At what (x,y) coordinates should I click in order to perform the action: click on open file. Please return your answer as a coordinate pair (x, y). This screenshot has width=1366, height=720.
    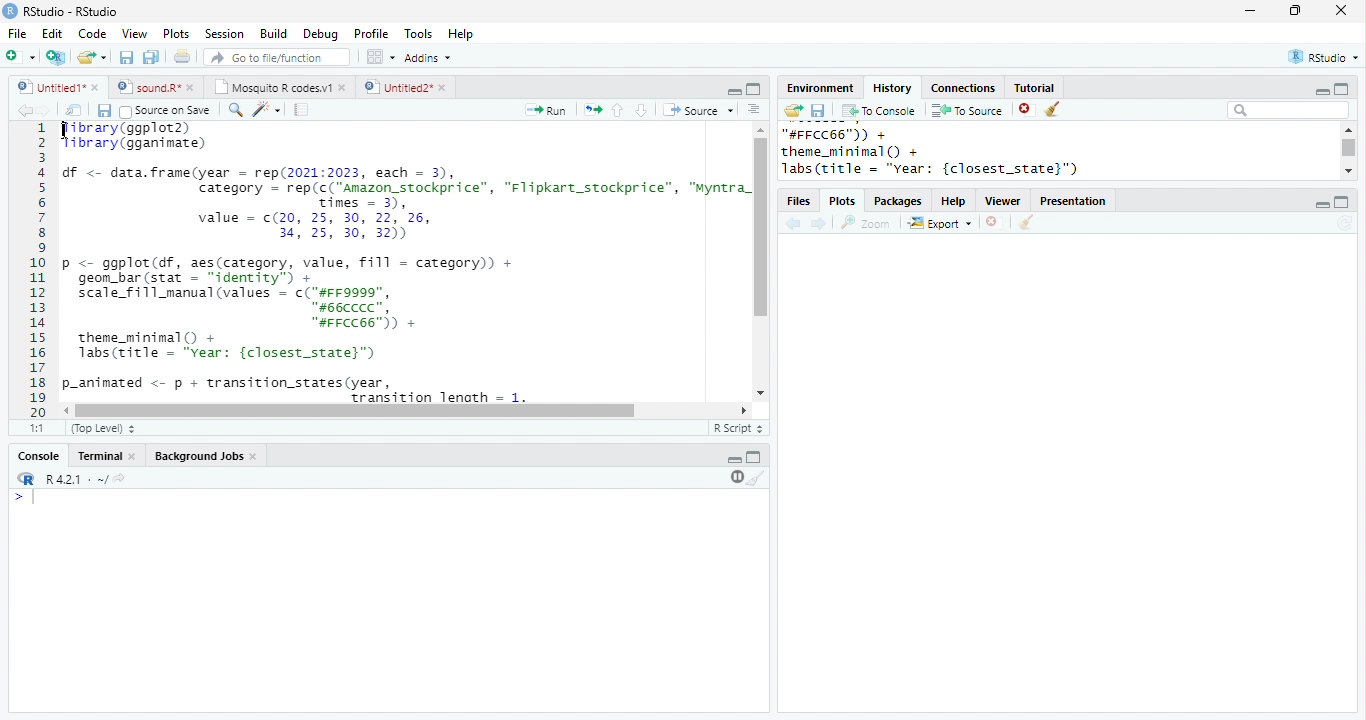
    Looking at the image, I should click on (92, 58).